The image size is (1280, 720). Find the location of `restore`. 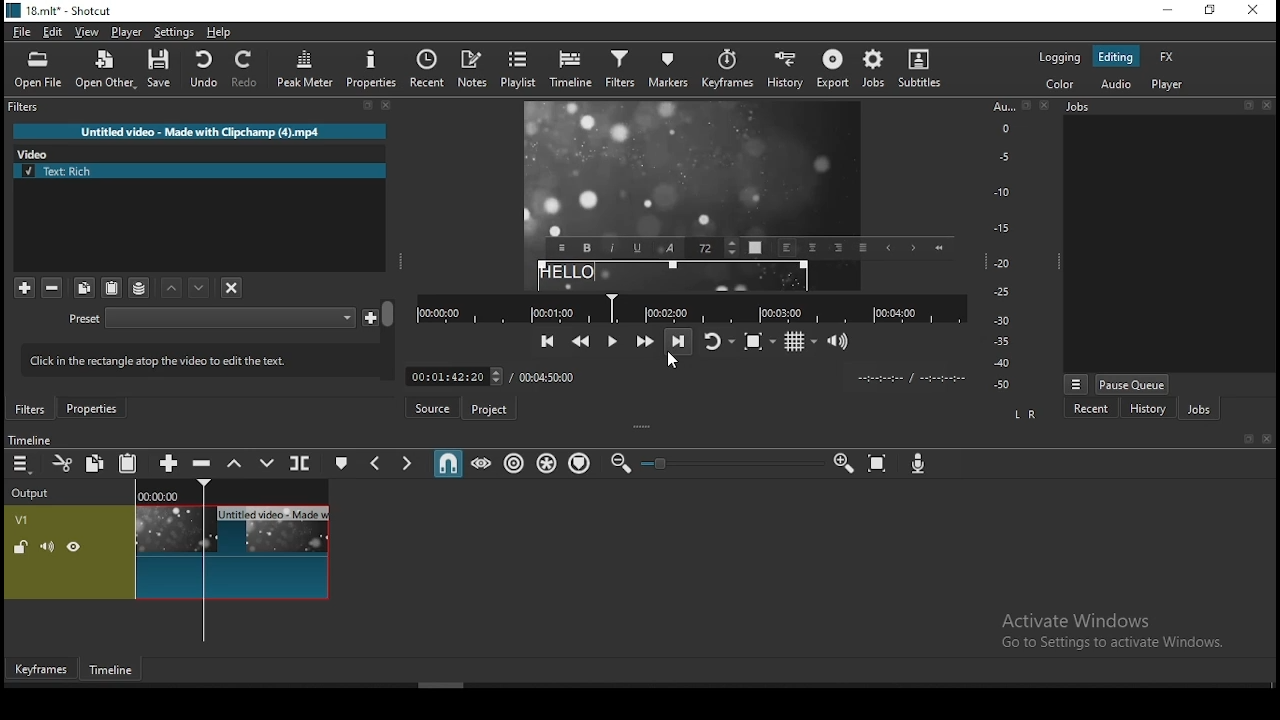

restore is located at coordinates (1212, 9).